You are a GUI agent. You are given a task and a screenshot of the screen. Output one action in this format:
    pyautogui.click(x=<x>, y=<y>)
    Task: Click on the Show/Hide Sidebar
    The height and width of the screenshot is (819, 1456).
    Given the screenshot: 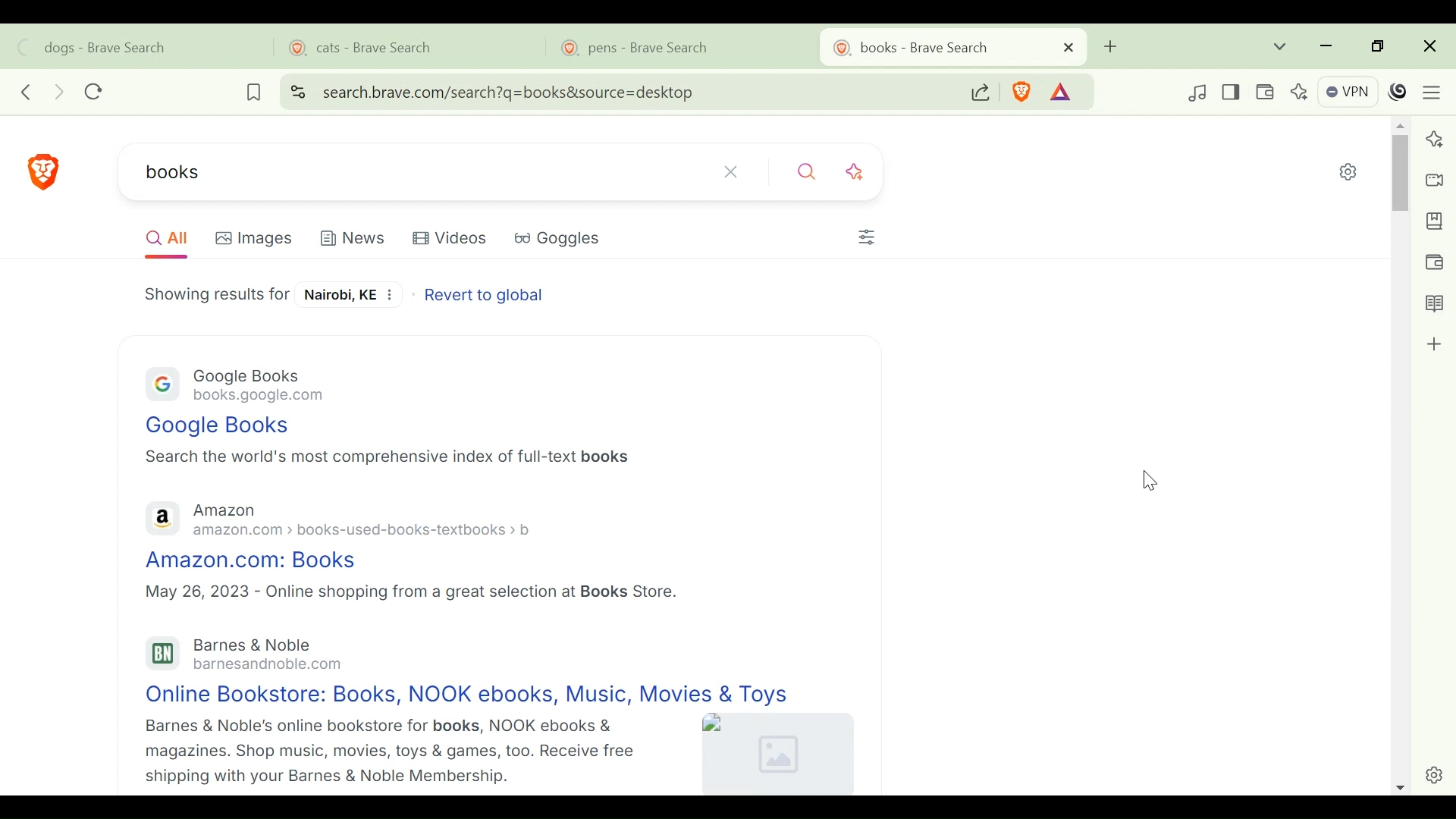 What is the action you would take?
    pyautogui.click(x=1232, y=91)
    